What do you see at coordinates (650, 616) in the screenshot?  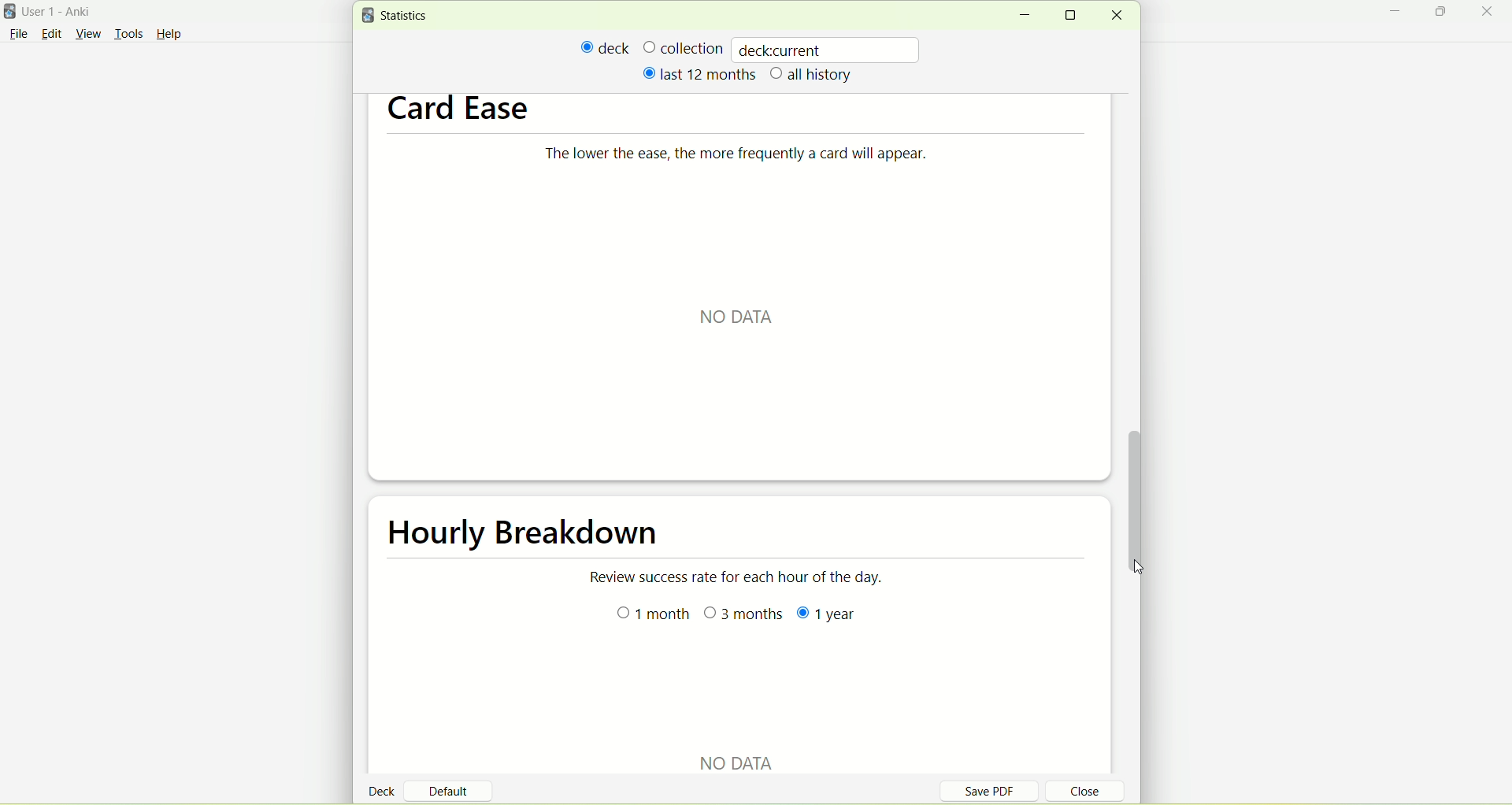 I see ` month` at bounding box center [650, 616].